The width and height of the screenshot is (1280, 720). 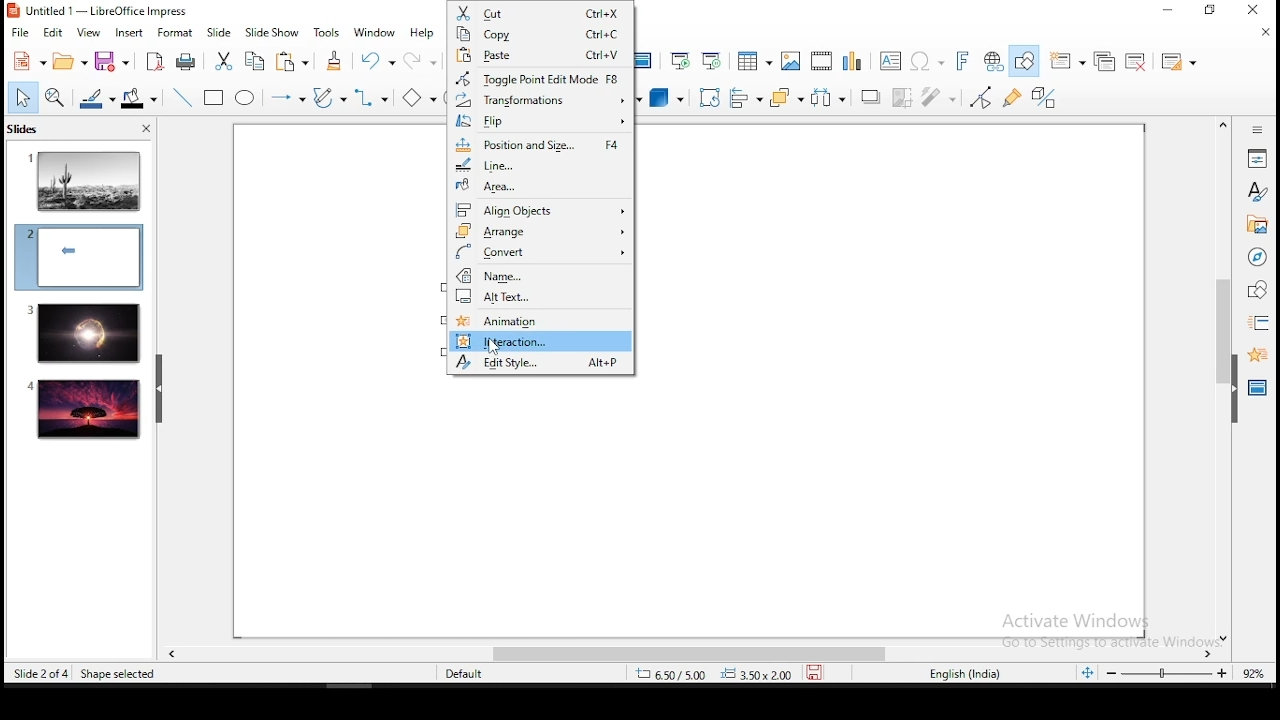 I want to click on slide 1, so click(x=85, y=180).